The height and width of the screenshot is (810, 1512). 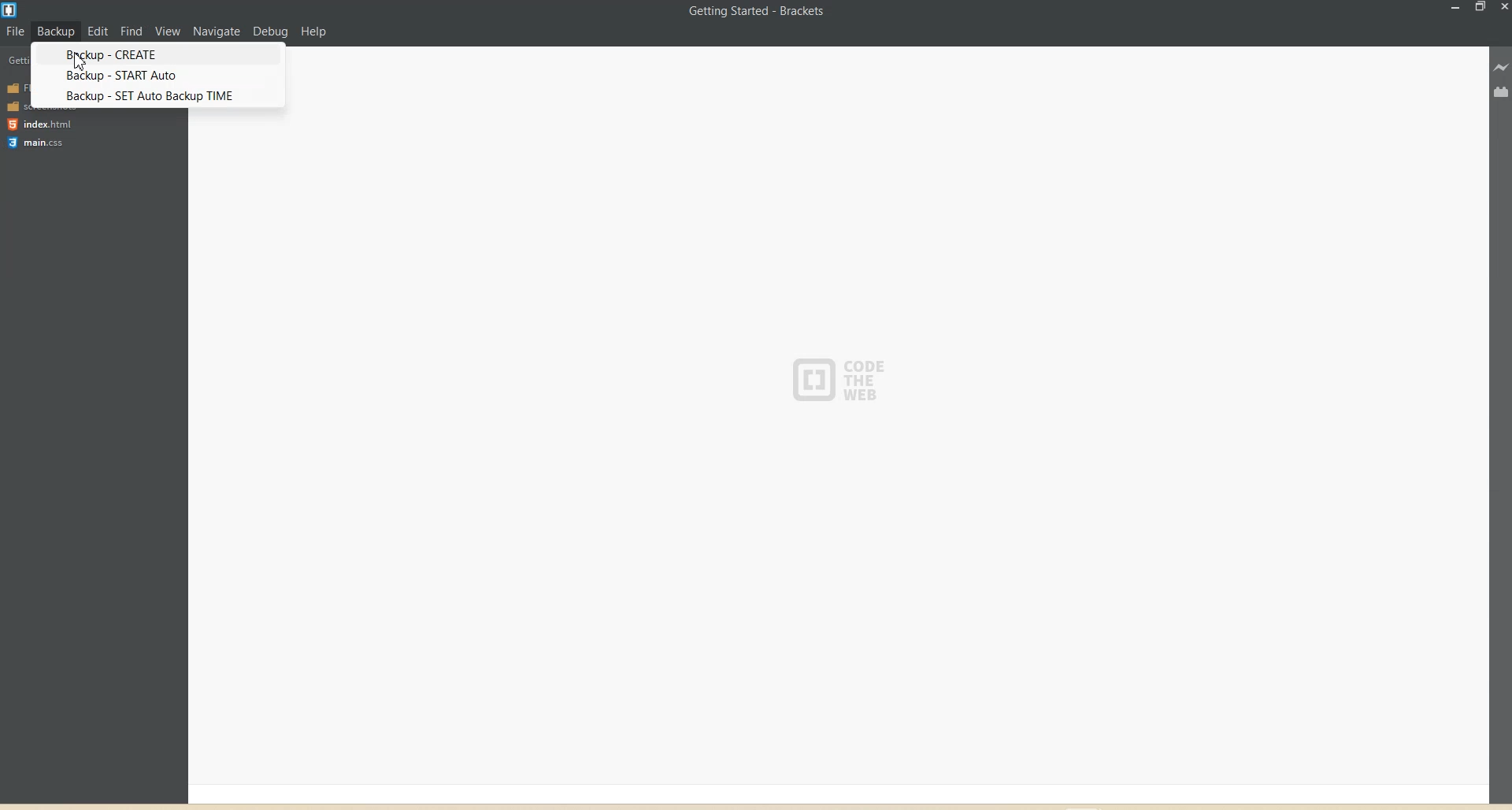 I want to click on Logo, so click(x=12, y=10).